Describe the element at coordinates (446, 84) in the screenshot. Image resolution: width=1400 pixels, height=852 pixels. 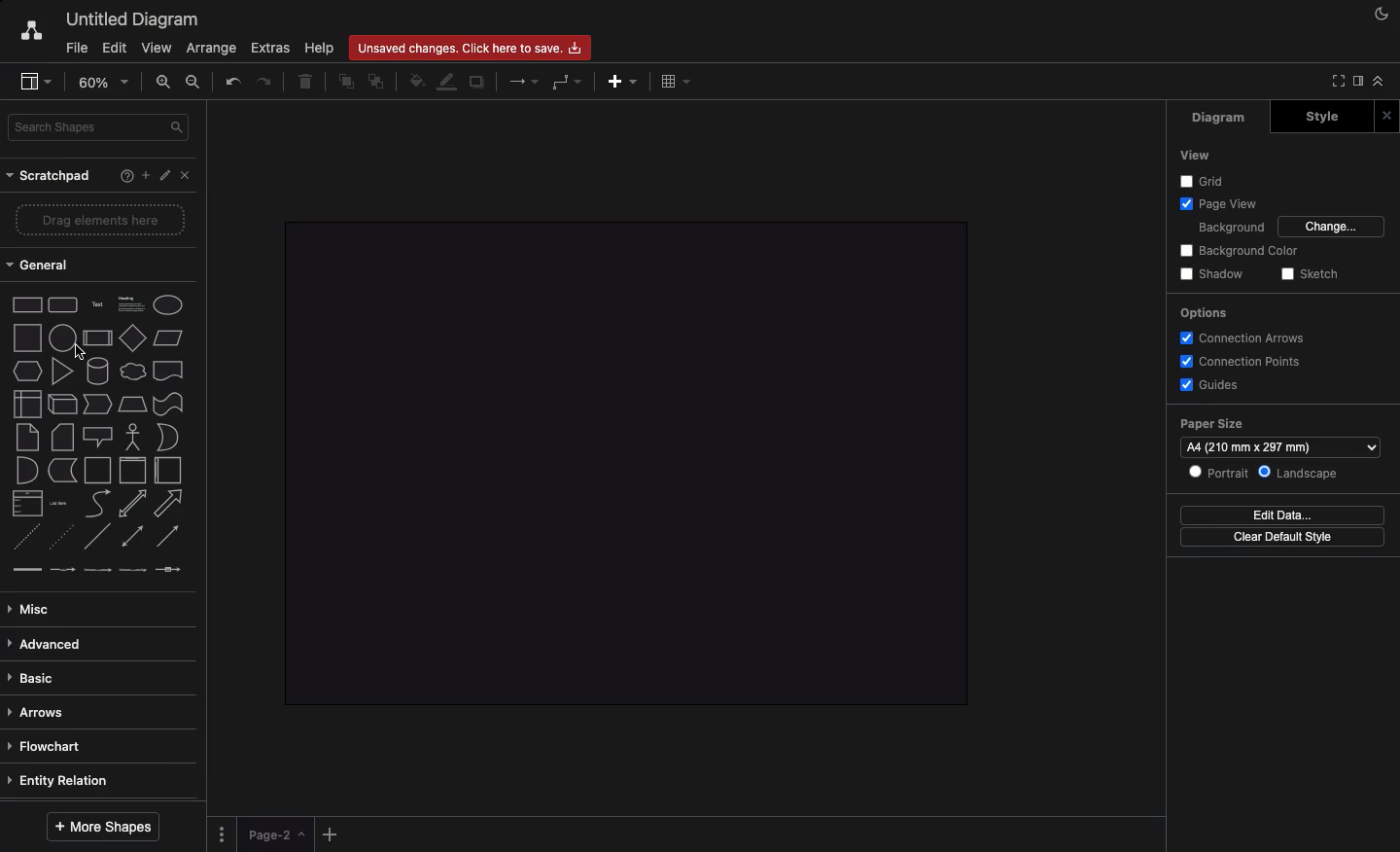
I see `Line color` at that location.